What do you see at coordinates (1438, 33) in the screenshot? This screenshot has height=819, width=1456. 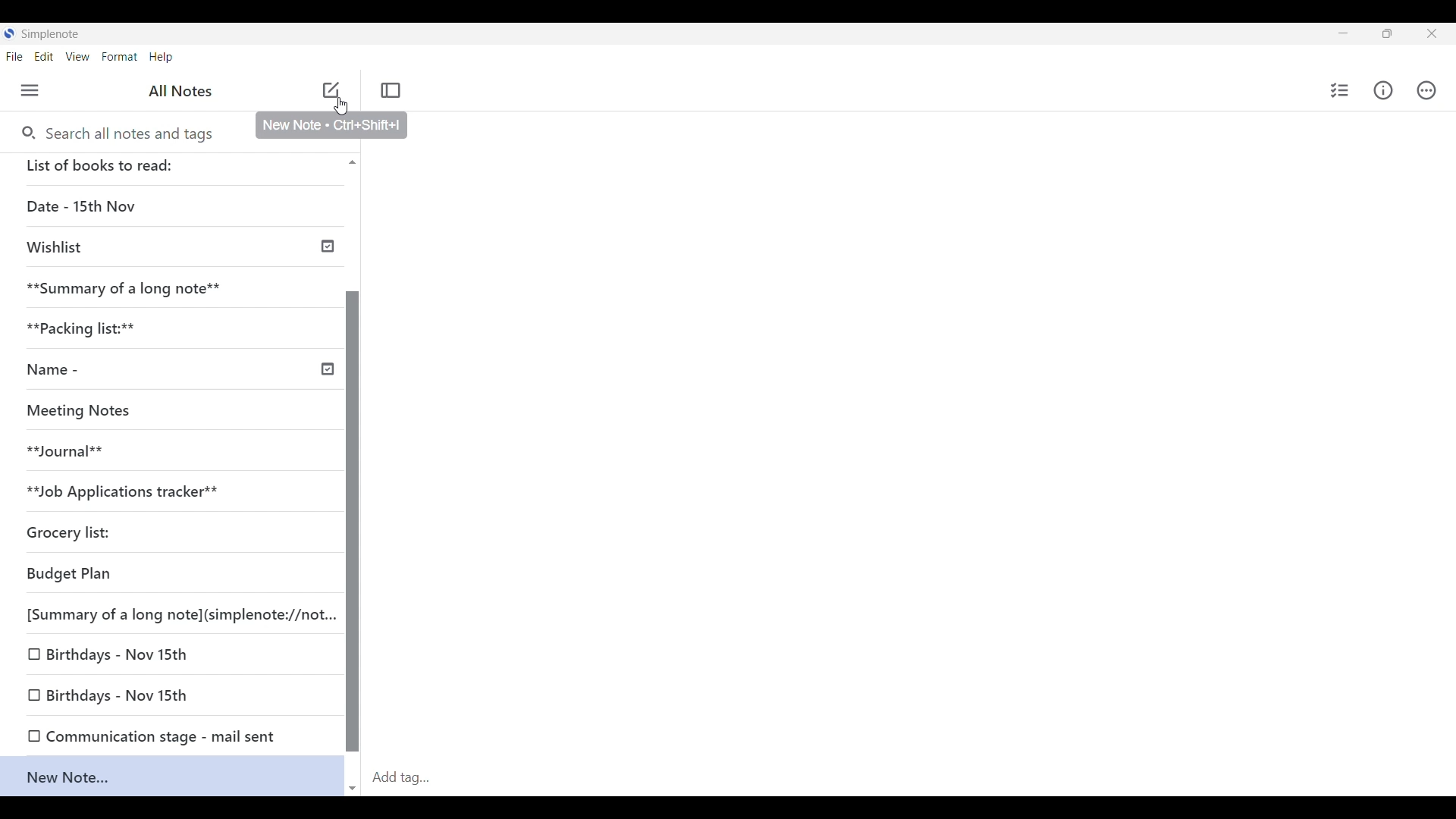 I see `Close` at bounding box center [1438, 33].